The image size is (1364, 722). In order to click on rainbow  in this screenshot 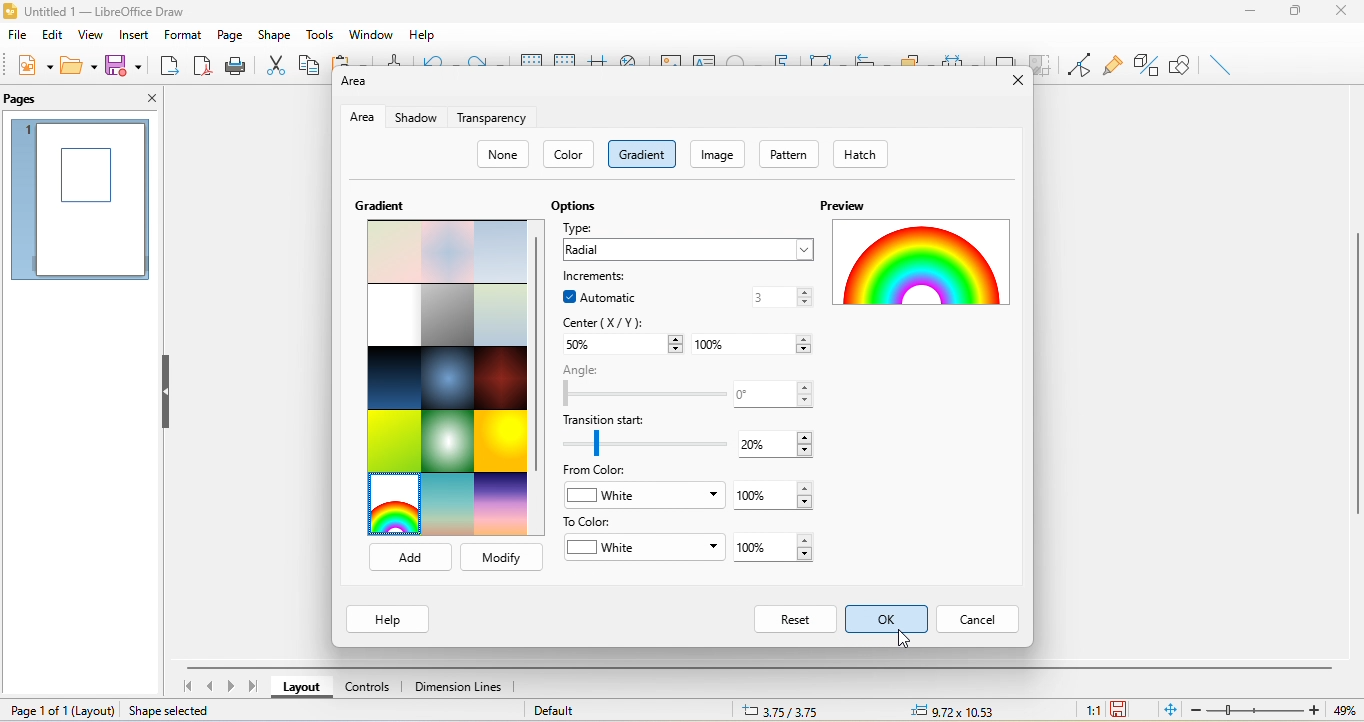, I will do `click(392, 506)`.